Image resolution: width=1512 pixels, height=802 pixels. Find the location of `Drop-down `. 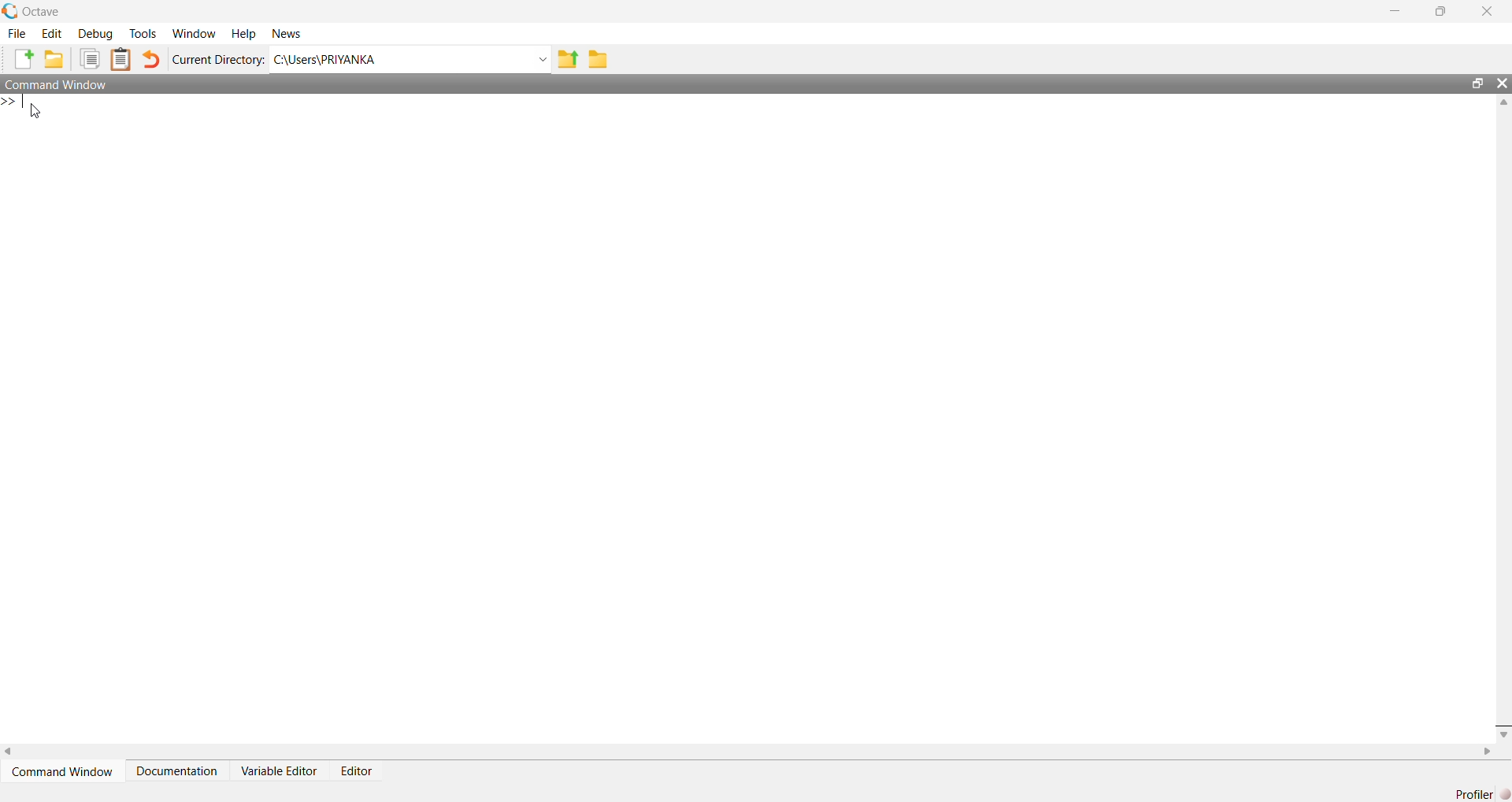

Drop-down  is located at coordinates (543, 60).